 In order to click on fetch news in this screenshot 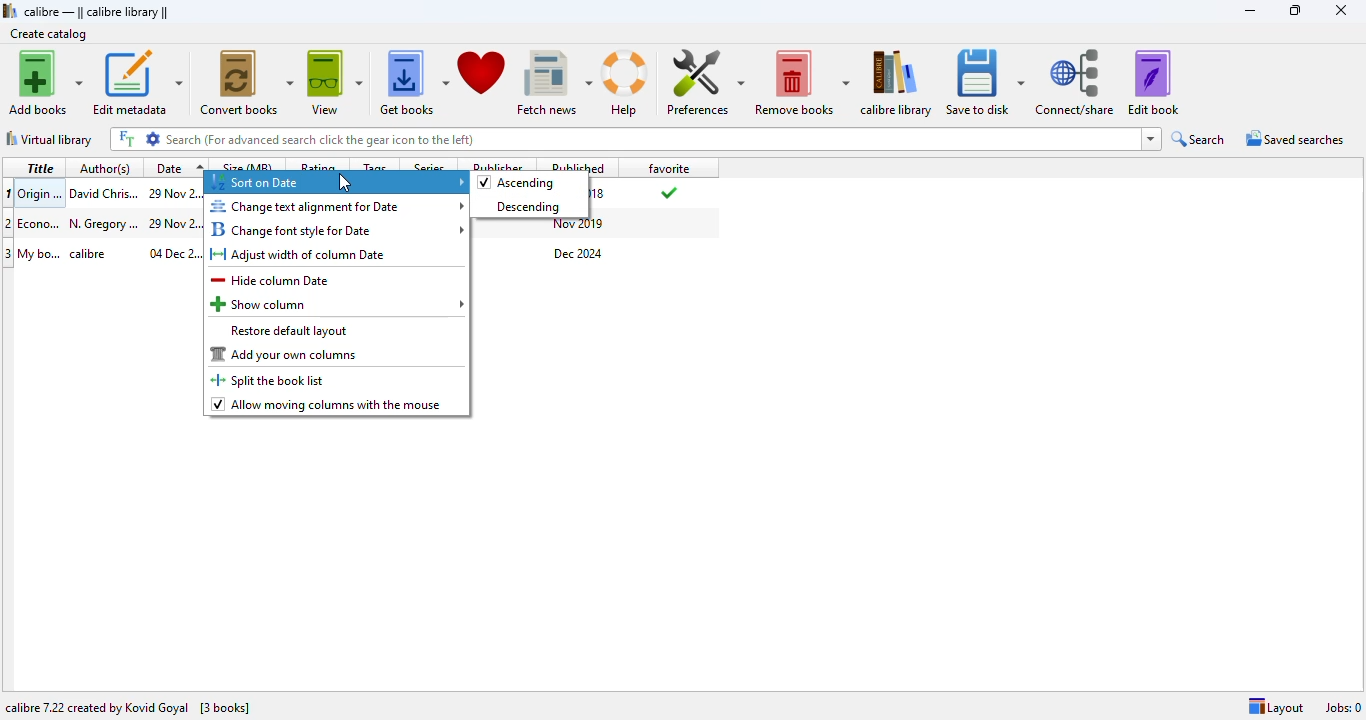, I will do `click(555, 83)`.